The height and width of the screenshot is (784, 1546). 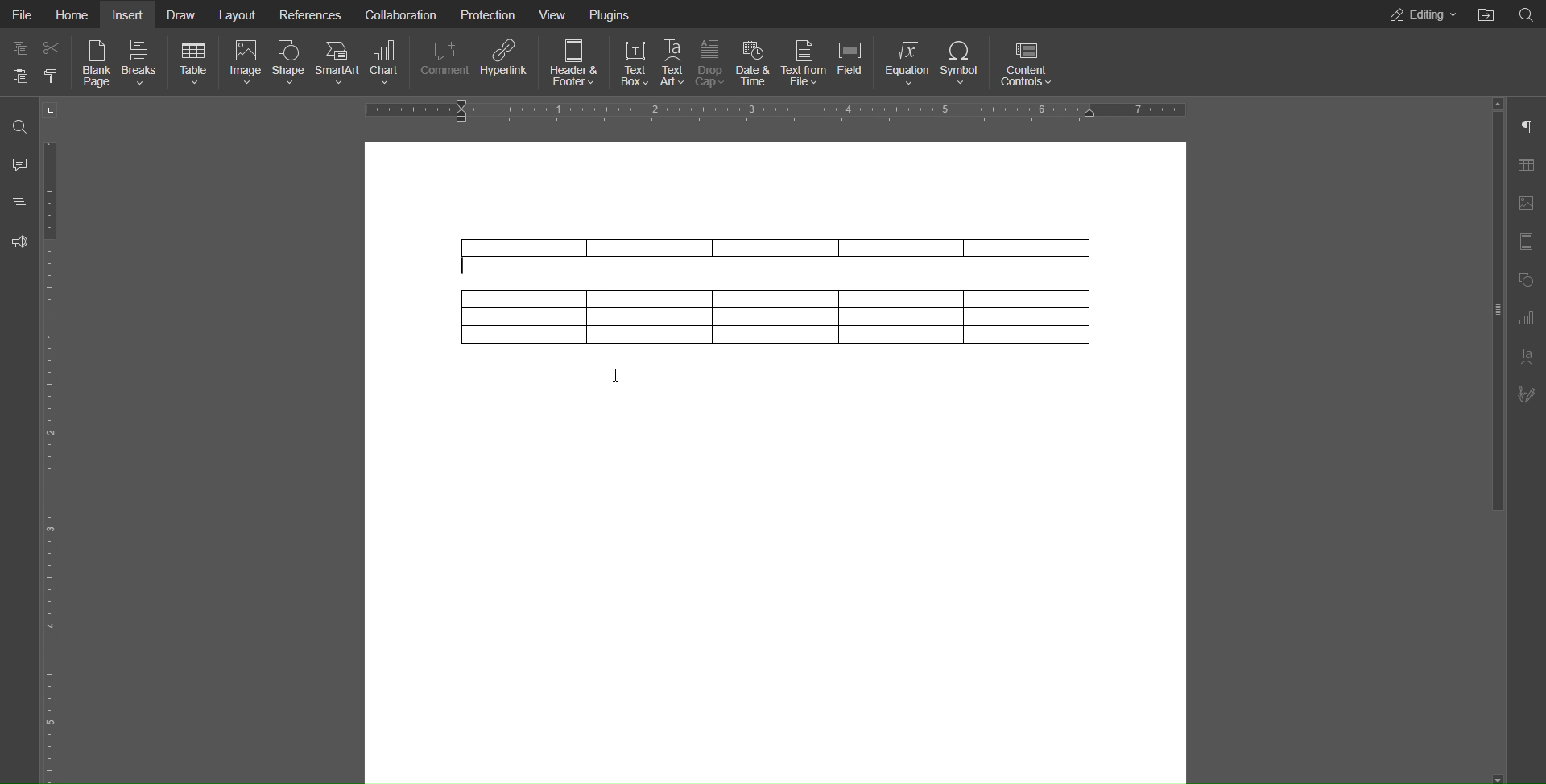 I want to click on Insert, so click(x=128, y=14).